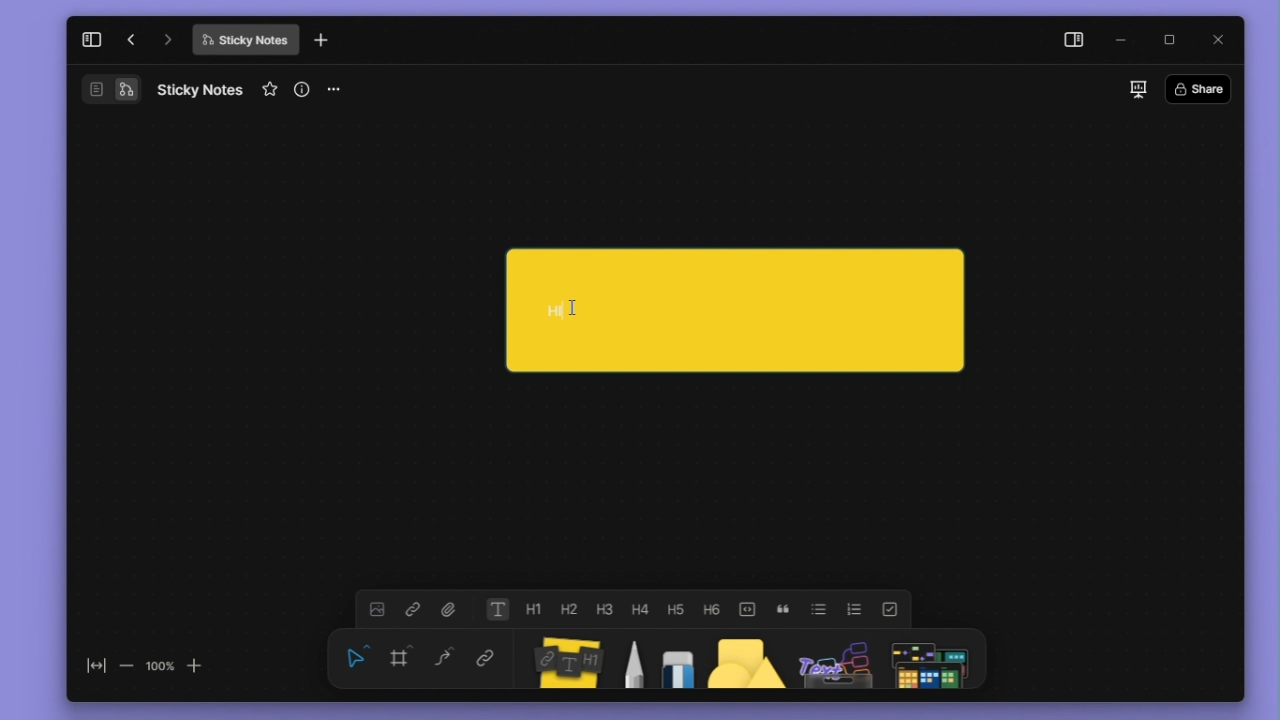 This screenshot has width=1280, height=720. Describe the element at coordinates (931, 663) in the screenshot. I see `Symbols Panel Icon` at that location.